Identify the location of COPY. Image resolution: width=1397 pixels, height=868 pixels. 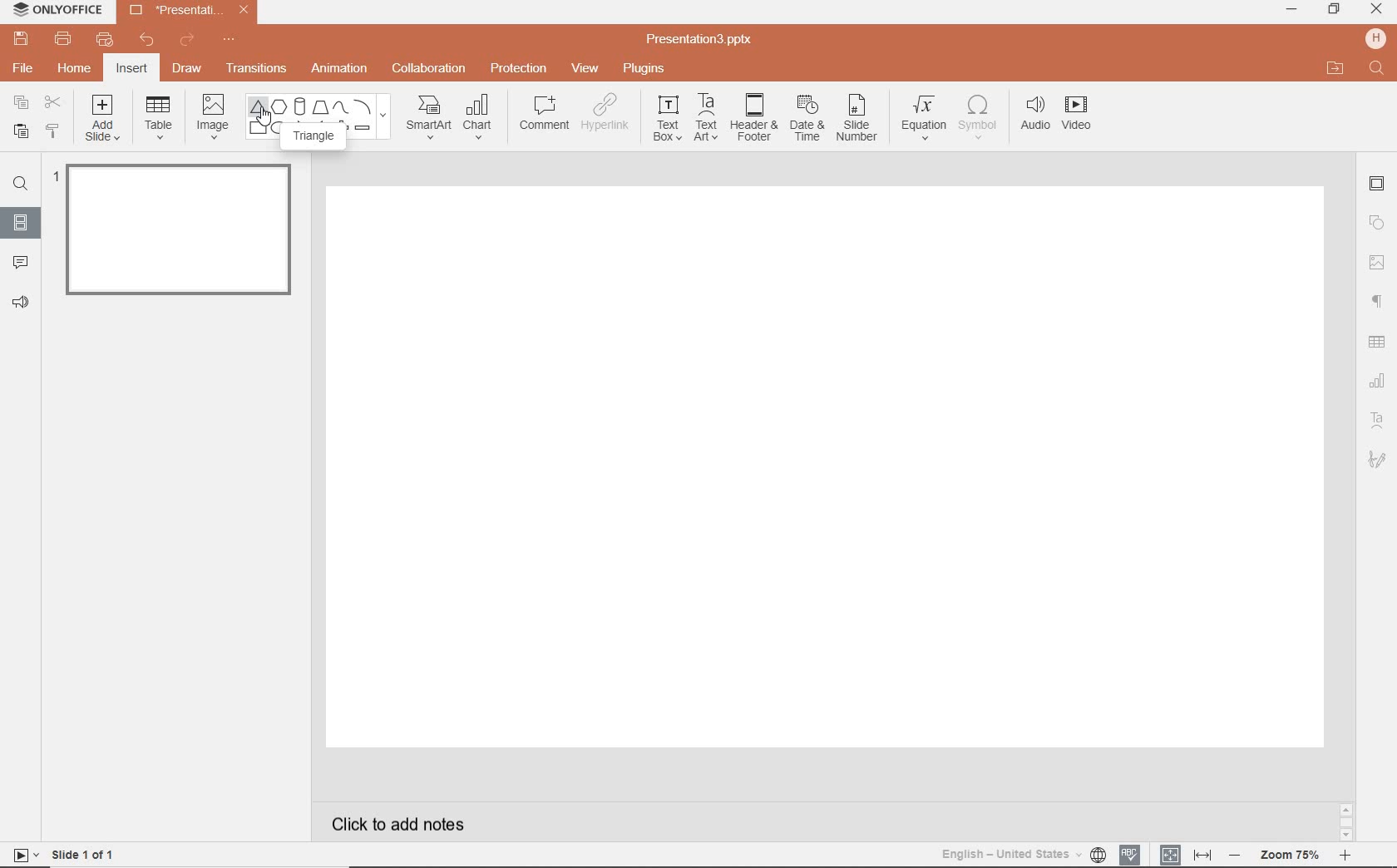
(22, 105).